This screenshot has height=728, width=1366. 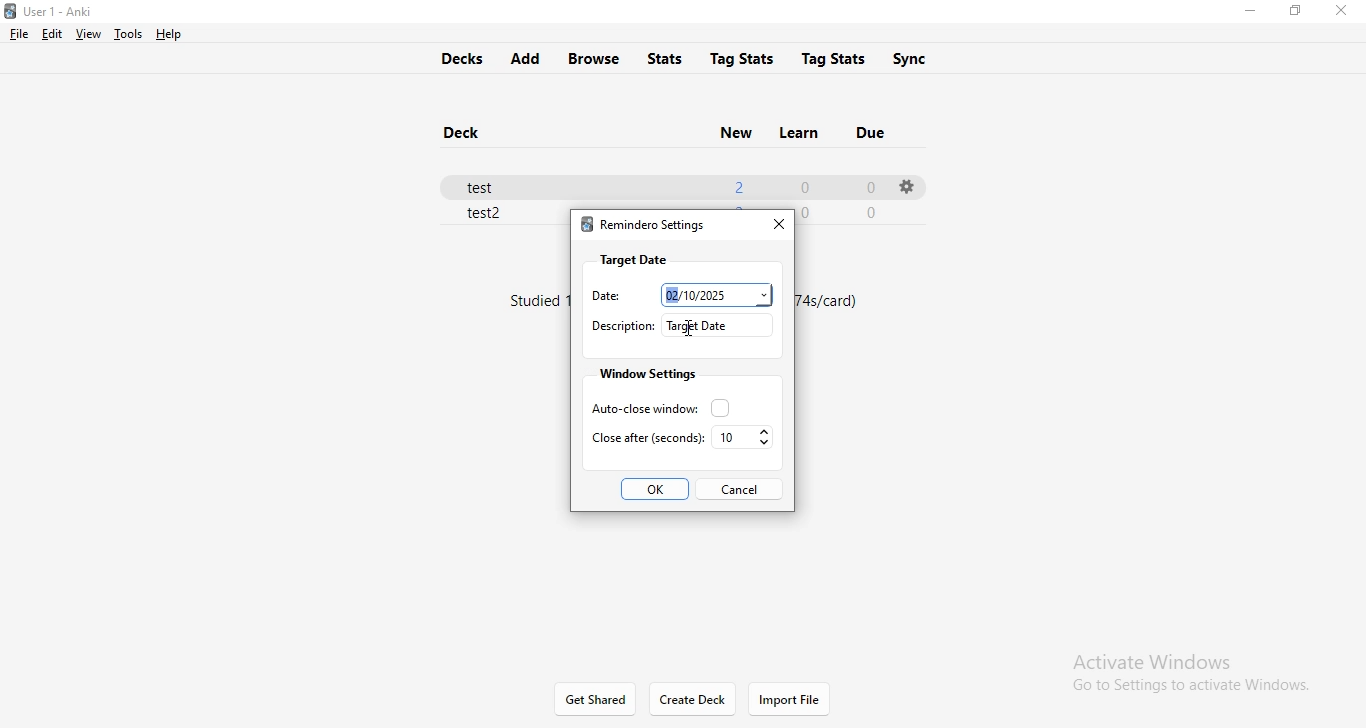 What do you see at coordinates (58, 12) in the screenshot?
I see `Anki` at bounding box center [58, 12].